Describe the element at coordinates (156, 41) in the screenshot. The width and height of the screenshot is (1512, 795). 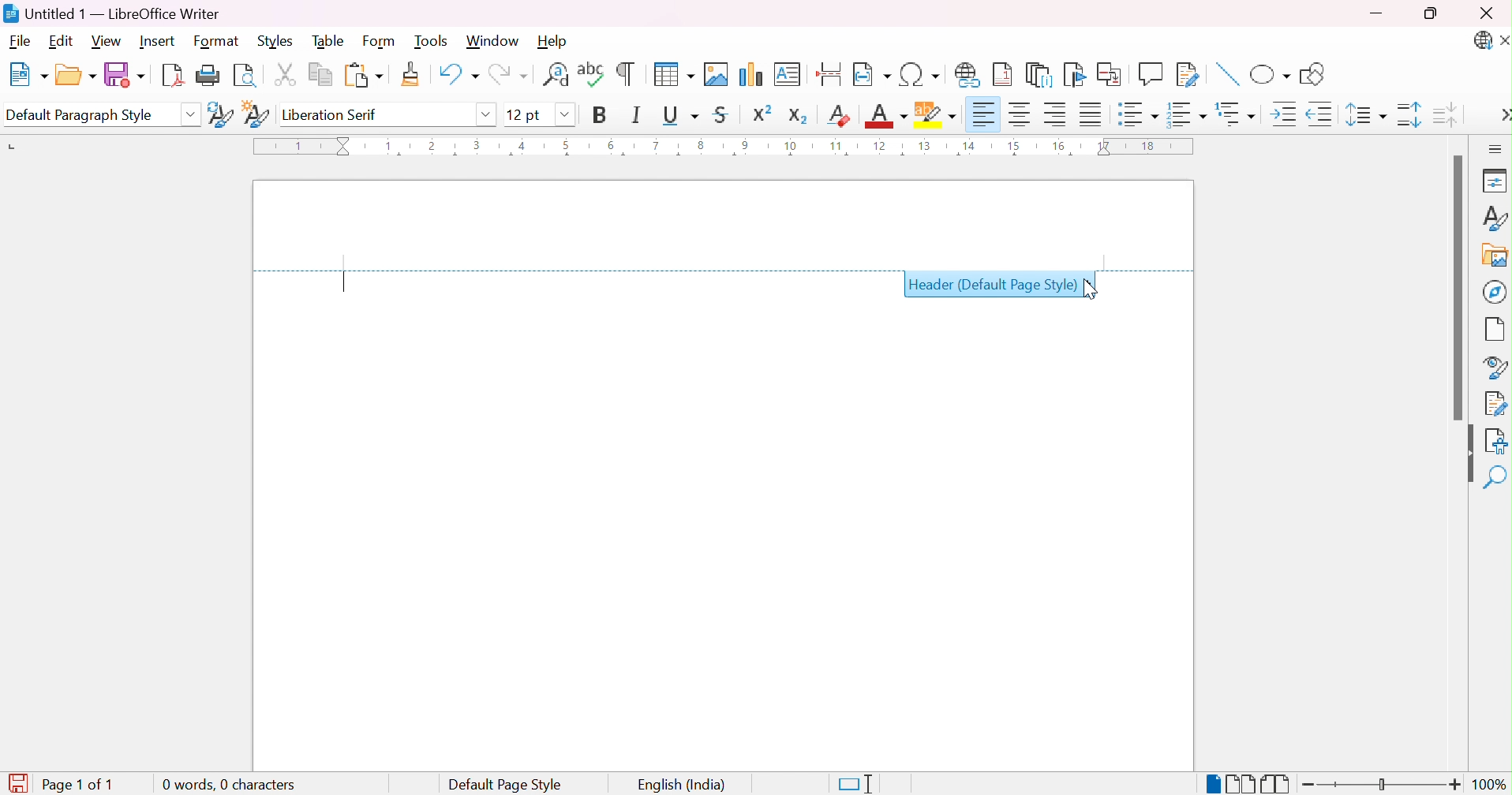
I see `Insert` at that location.